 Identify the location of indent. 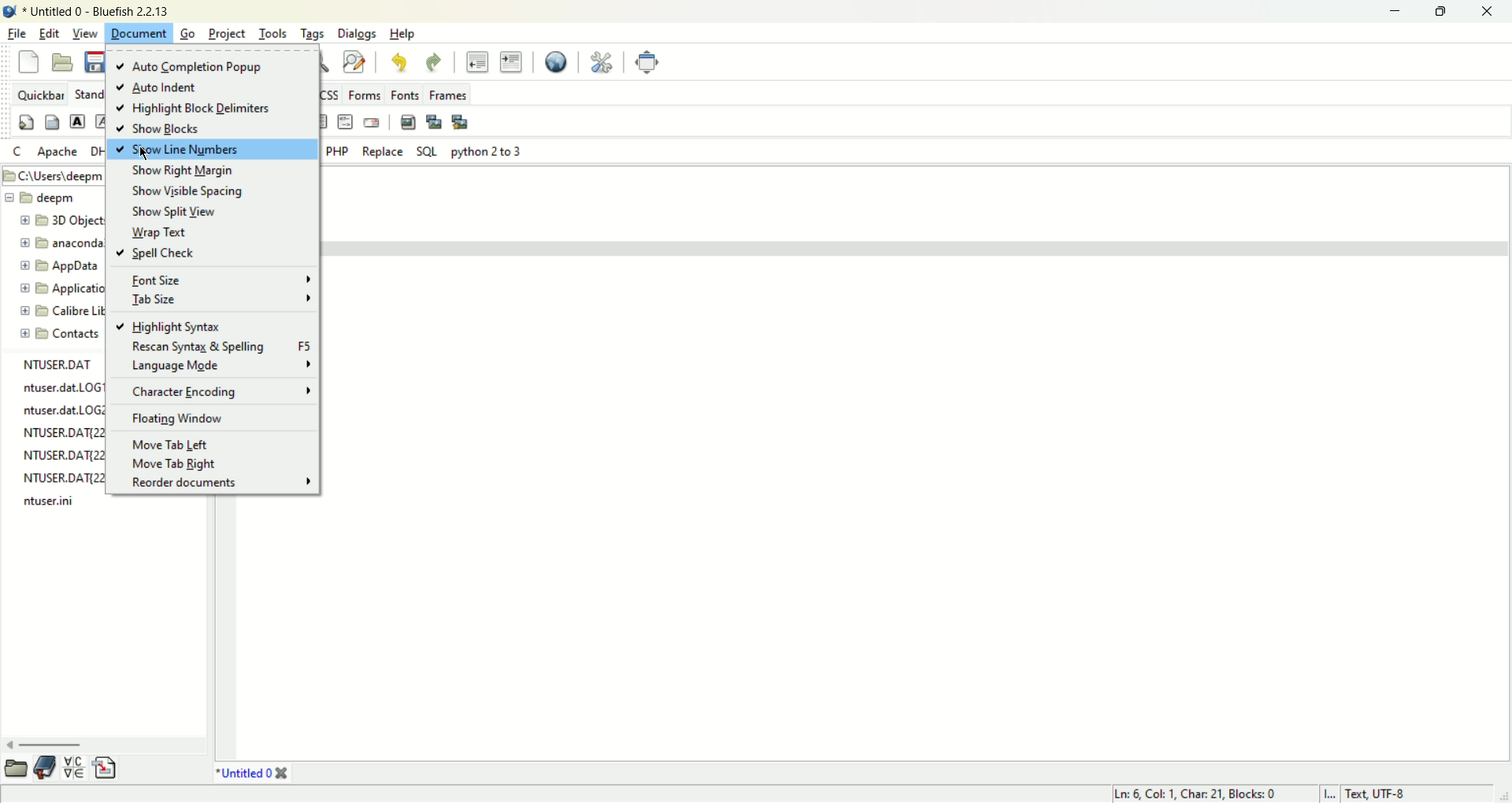
(510, 62).